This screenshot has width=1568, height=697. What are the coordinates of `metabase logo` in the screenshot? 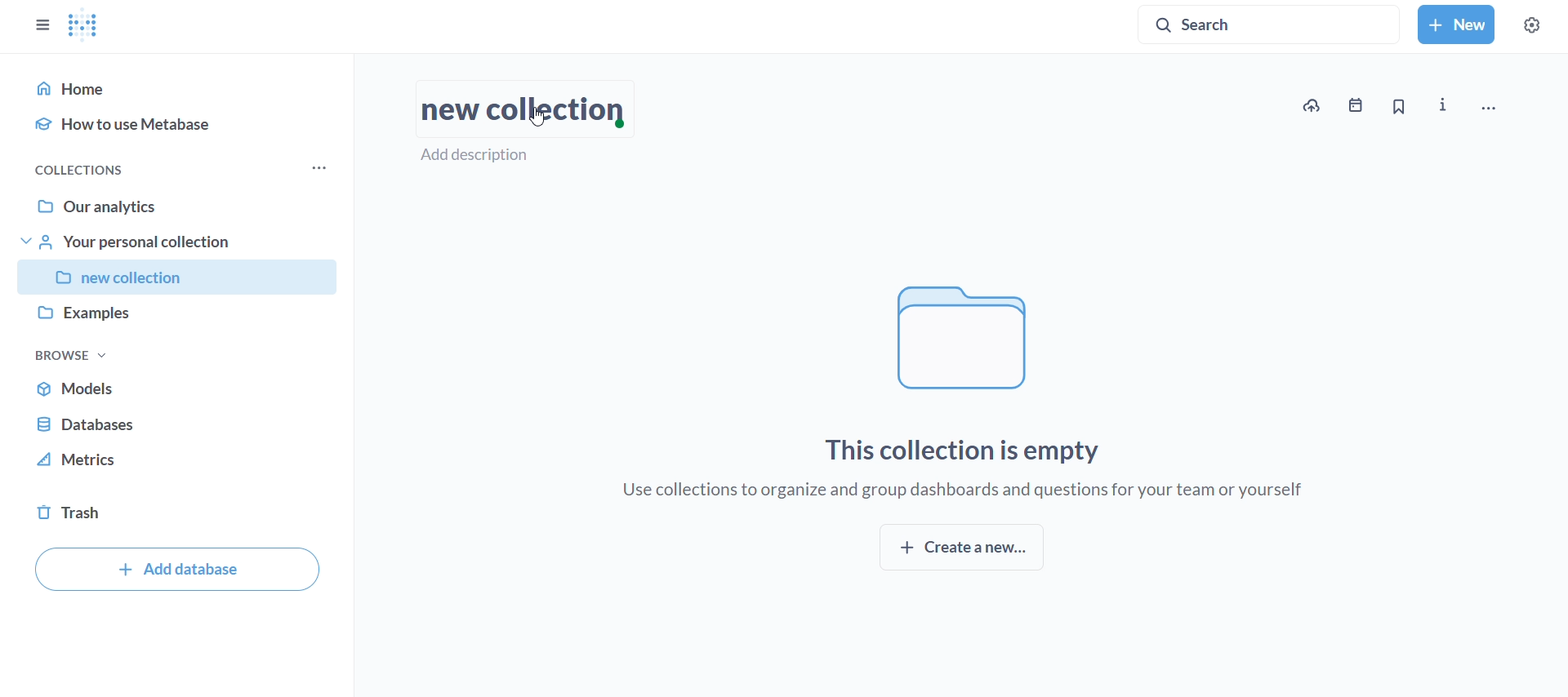 It's located at (85, 25).